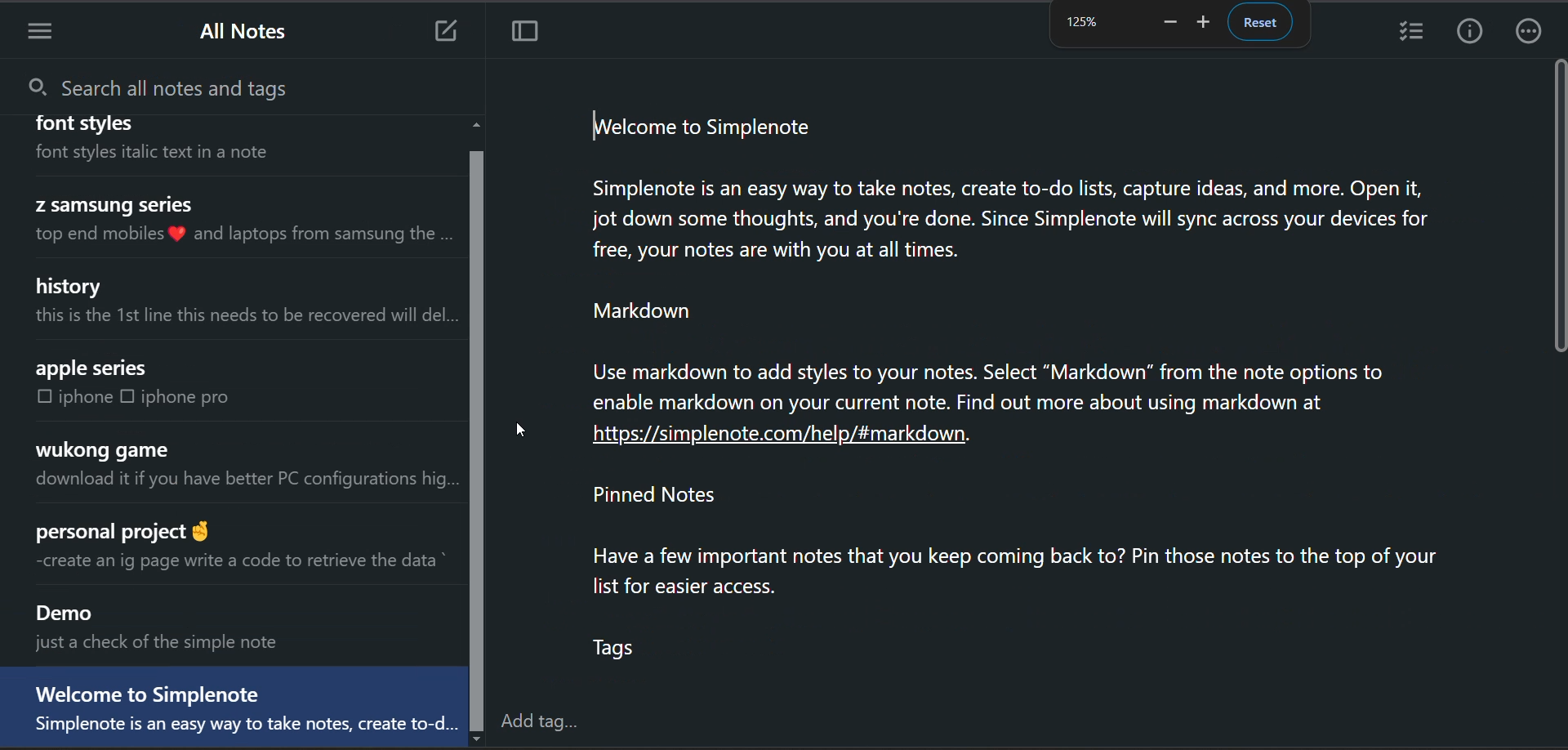 The image size is (1568, 750). What do you see at coordinates (1169, 22) in the screenshot?
I see `zoom out` at bounding box center [1169, 22].